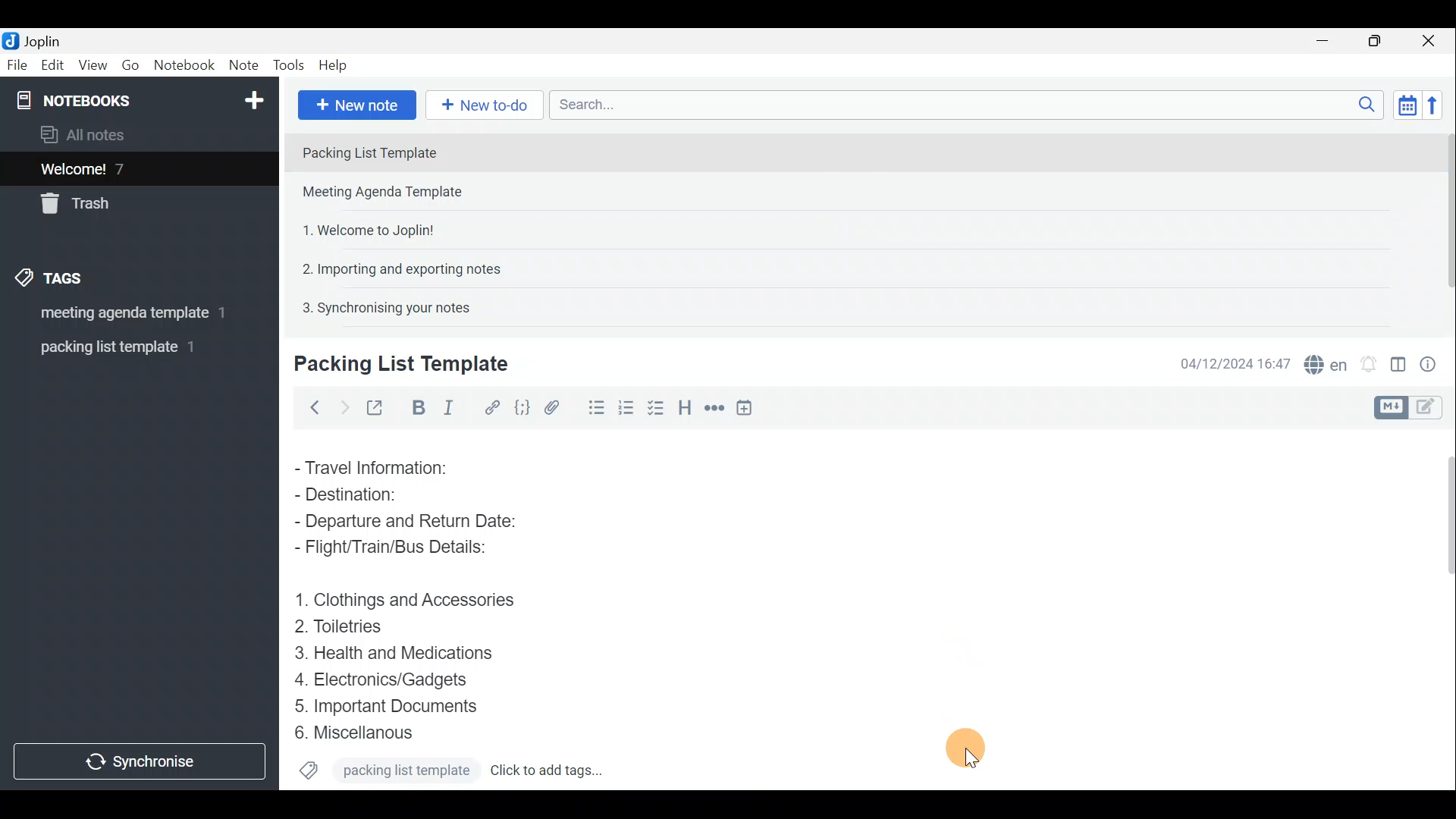 The width and height of the screenshot is (1456, 819). Describe the element at coordinates (1322, 362) in the screenshot. I see `Spell checker` at that location.